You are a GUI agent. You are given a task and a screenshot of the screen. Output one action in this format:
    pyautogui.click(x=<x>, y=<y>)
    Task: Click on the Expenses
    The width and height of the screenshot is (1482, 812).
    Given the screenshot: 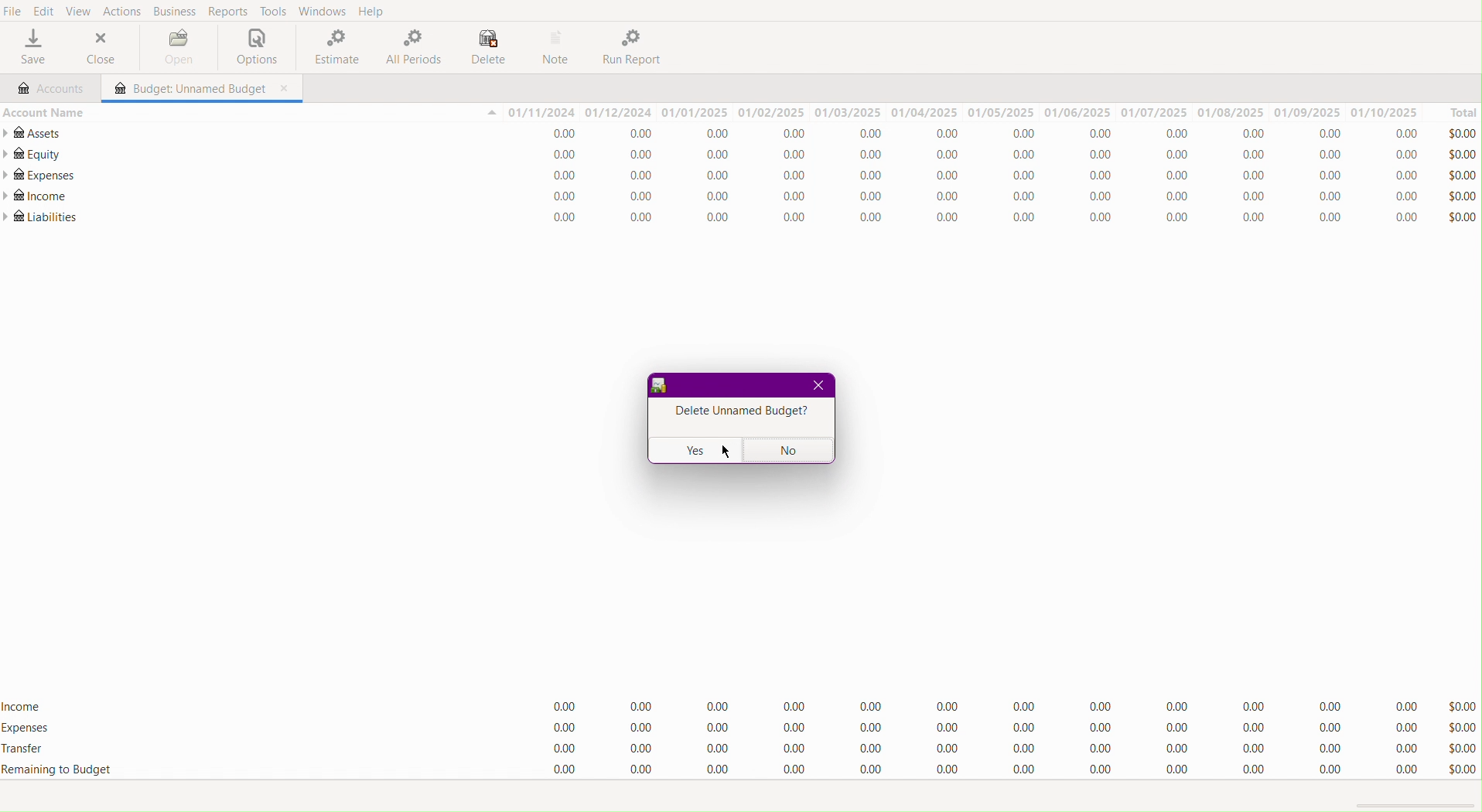 What is the action you would take?
    pyautogui.click(x=27, y=728)
    